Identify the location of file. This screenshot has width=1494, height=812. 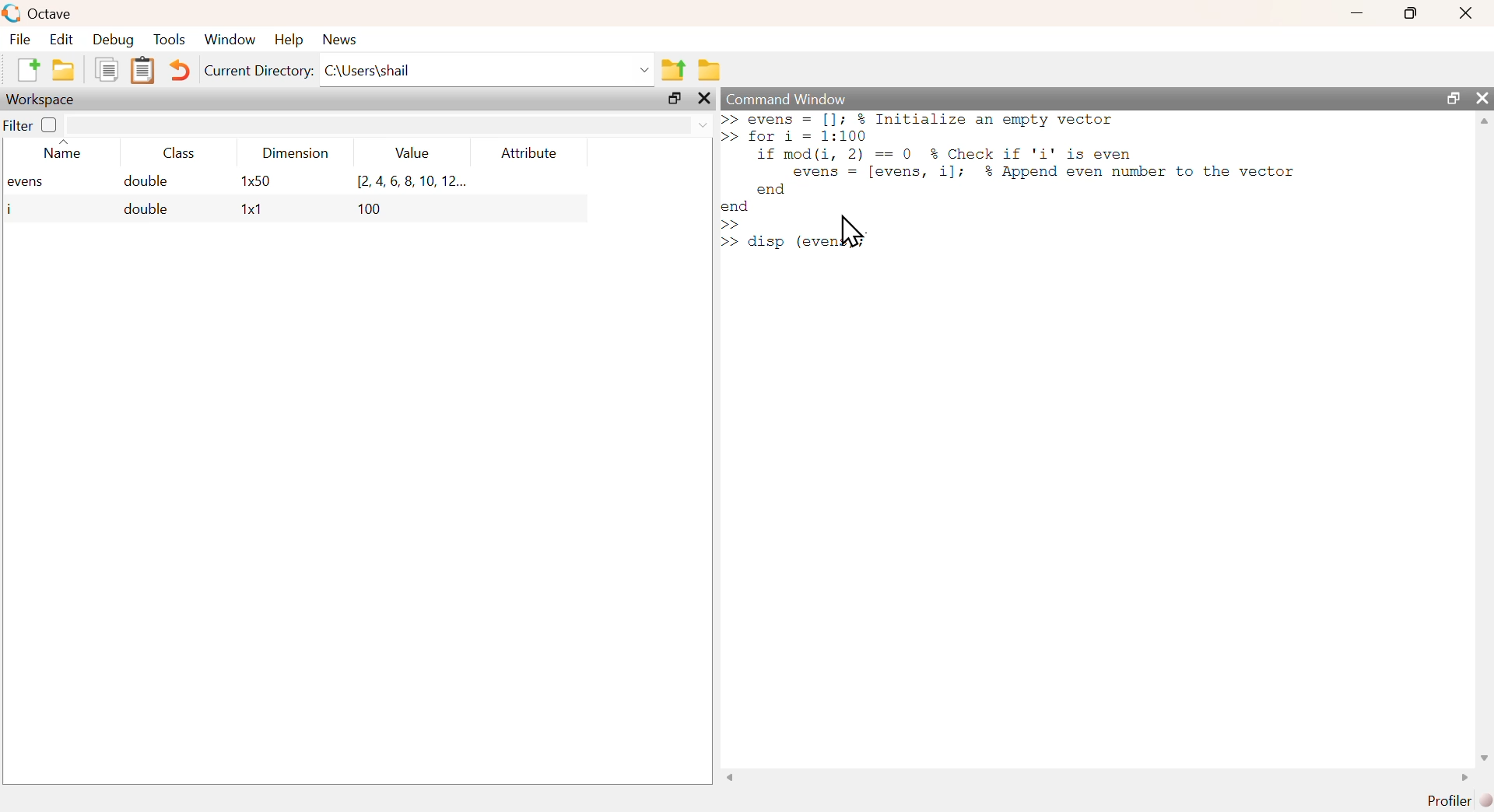
(21, 40).